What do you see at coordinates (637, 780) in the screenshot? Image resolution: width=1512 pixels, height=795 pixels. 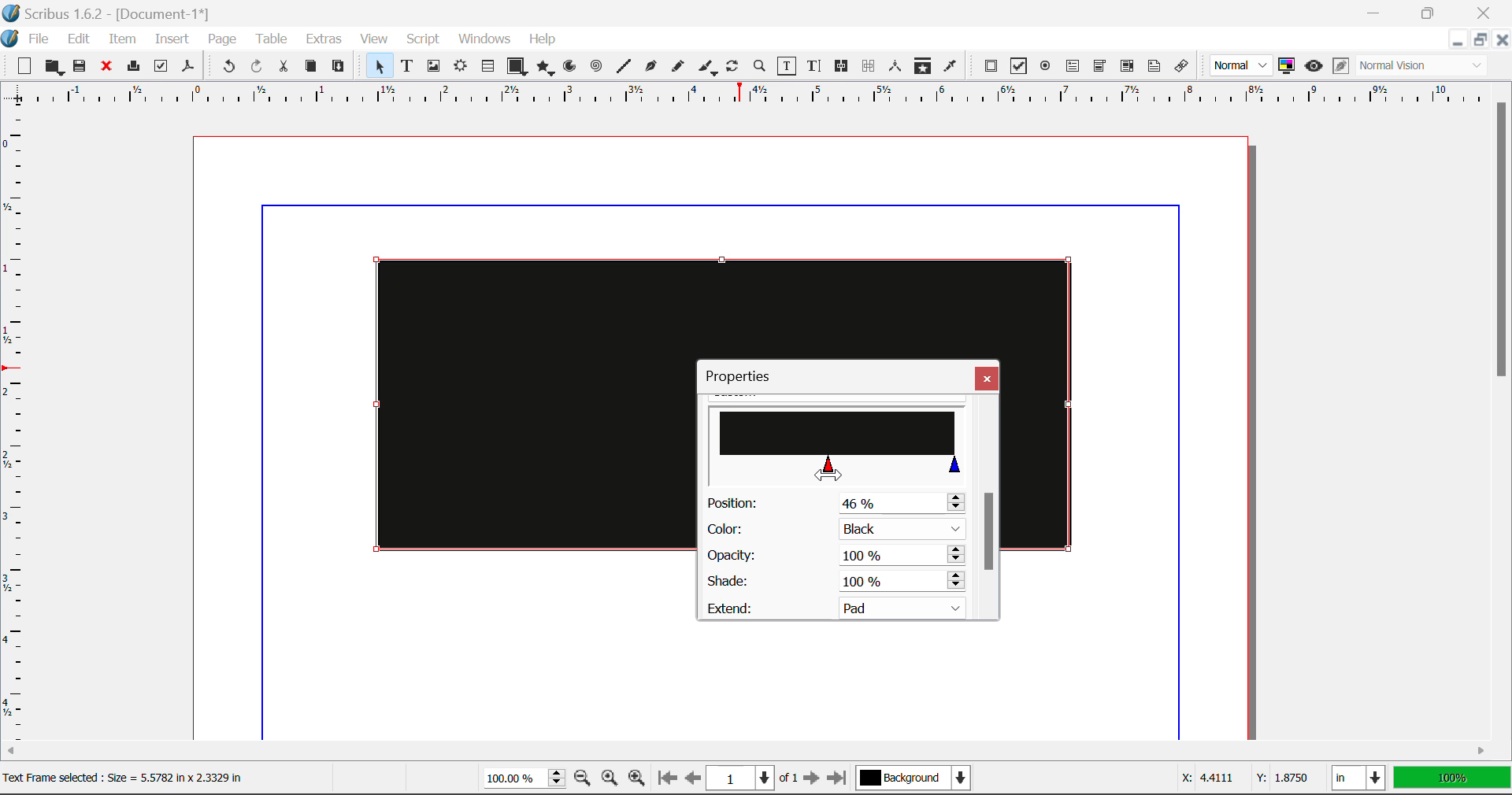 I see `Zoom In` at bounding box center [637, 780].